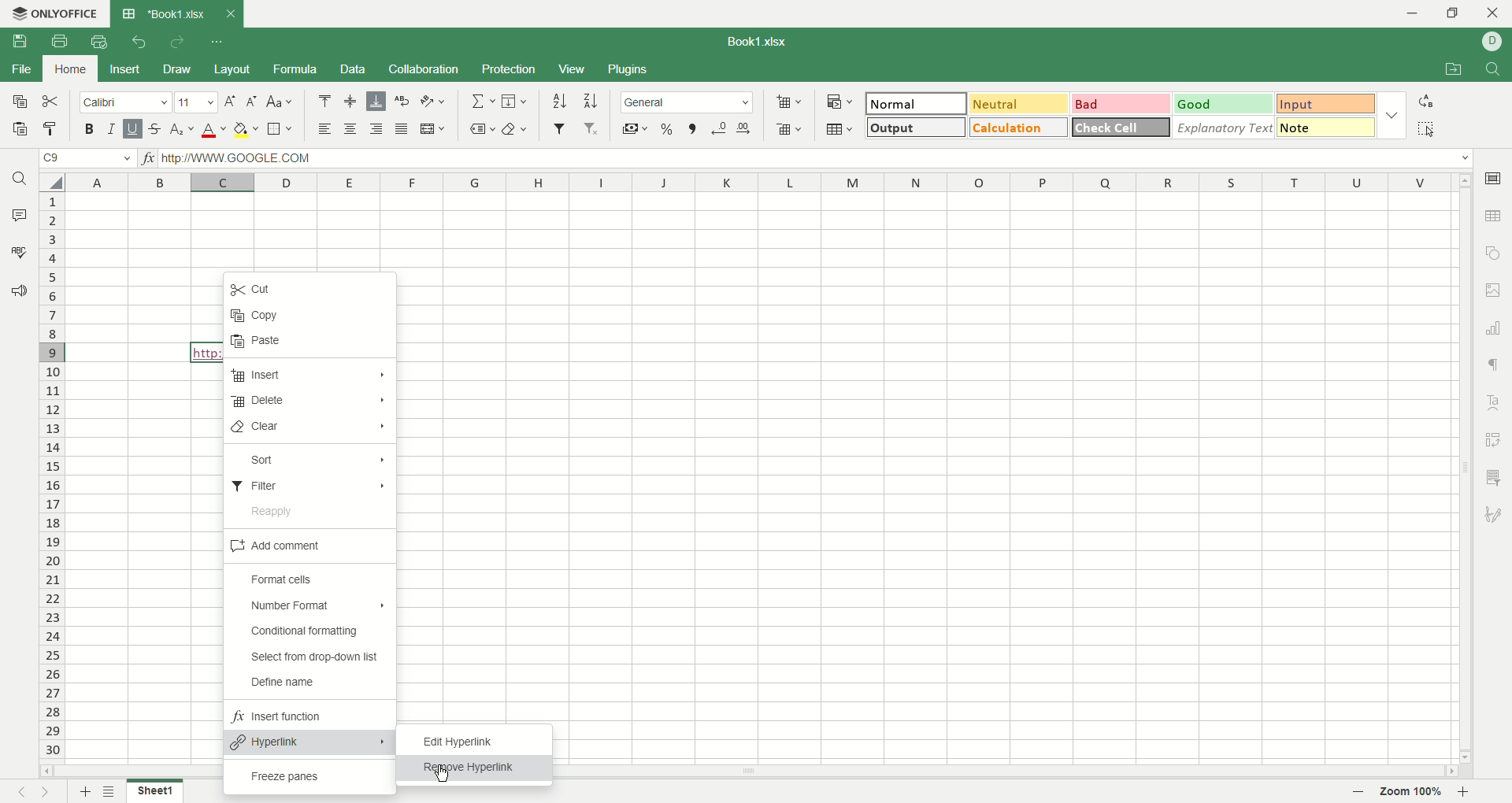 This screenshot has height=803, width=1512. Describe the element at coordinates (51, 475) in the screenshot. I see `row number` at that location.